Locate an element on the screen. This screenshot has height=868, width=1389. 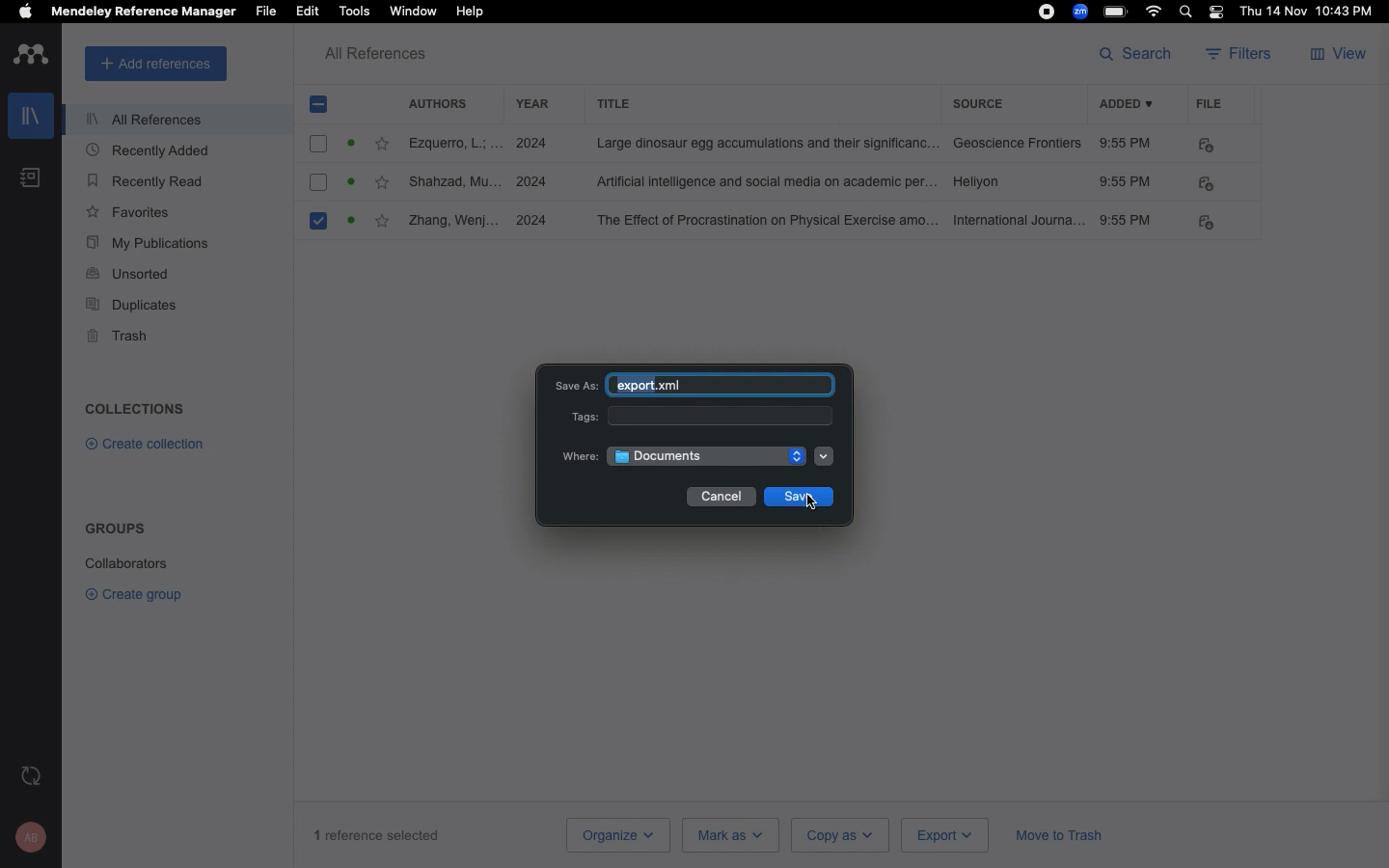
9:55PM is located at coordinates (1125, 220).